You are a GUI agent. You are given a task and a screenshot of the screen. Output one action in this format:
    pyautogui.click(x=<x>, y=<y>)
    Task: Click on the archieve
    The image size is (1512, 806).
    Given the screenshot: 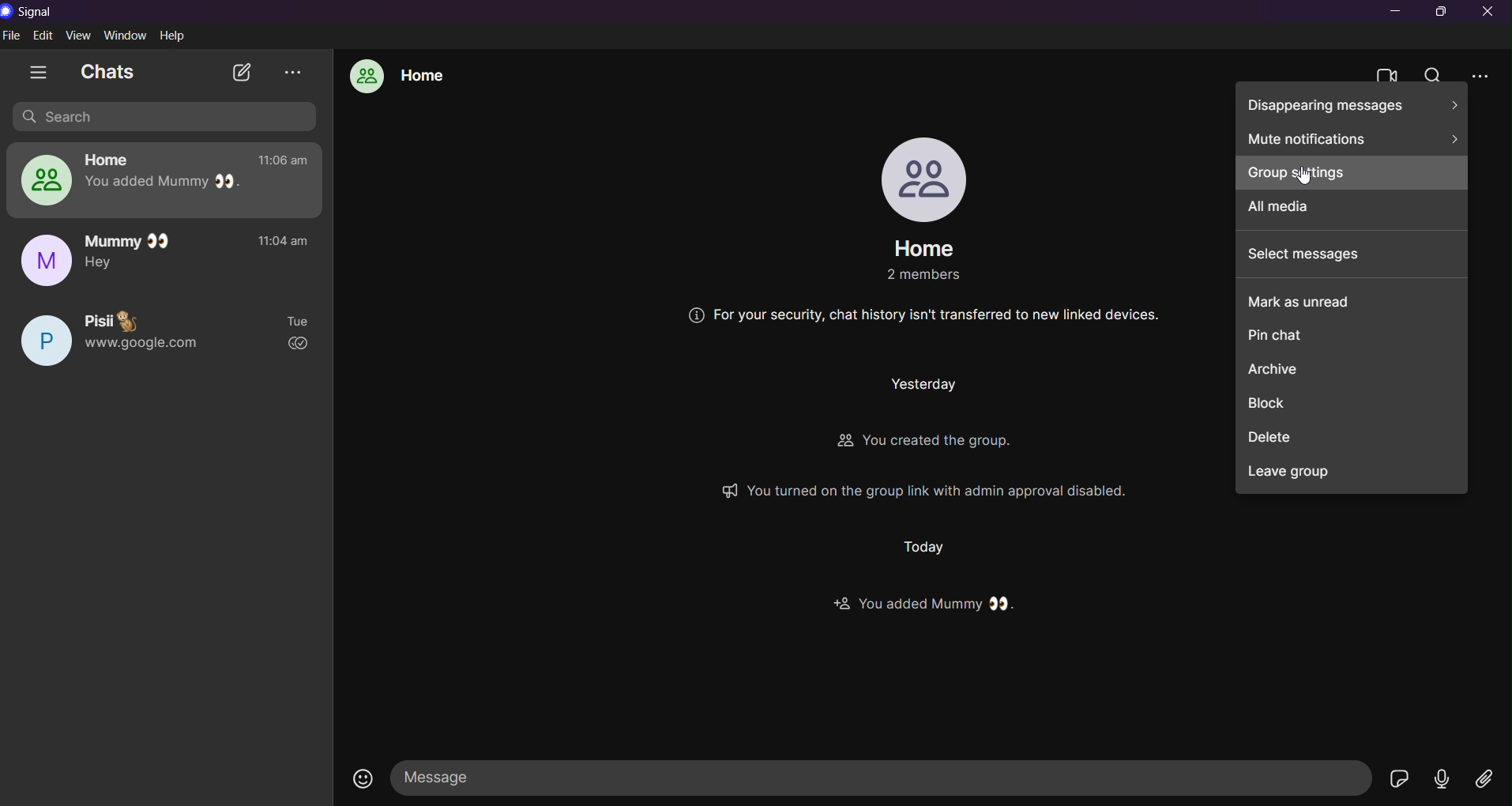 What is the action you would take?
    pyautogui.click(x=1356, y=372)
    